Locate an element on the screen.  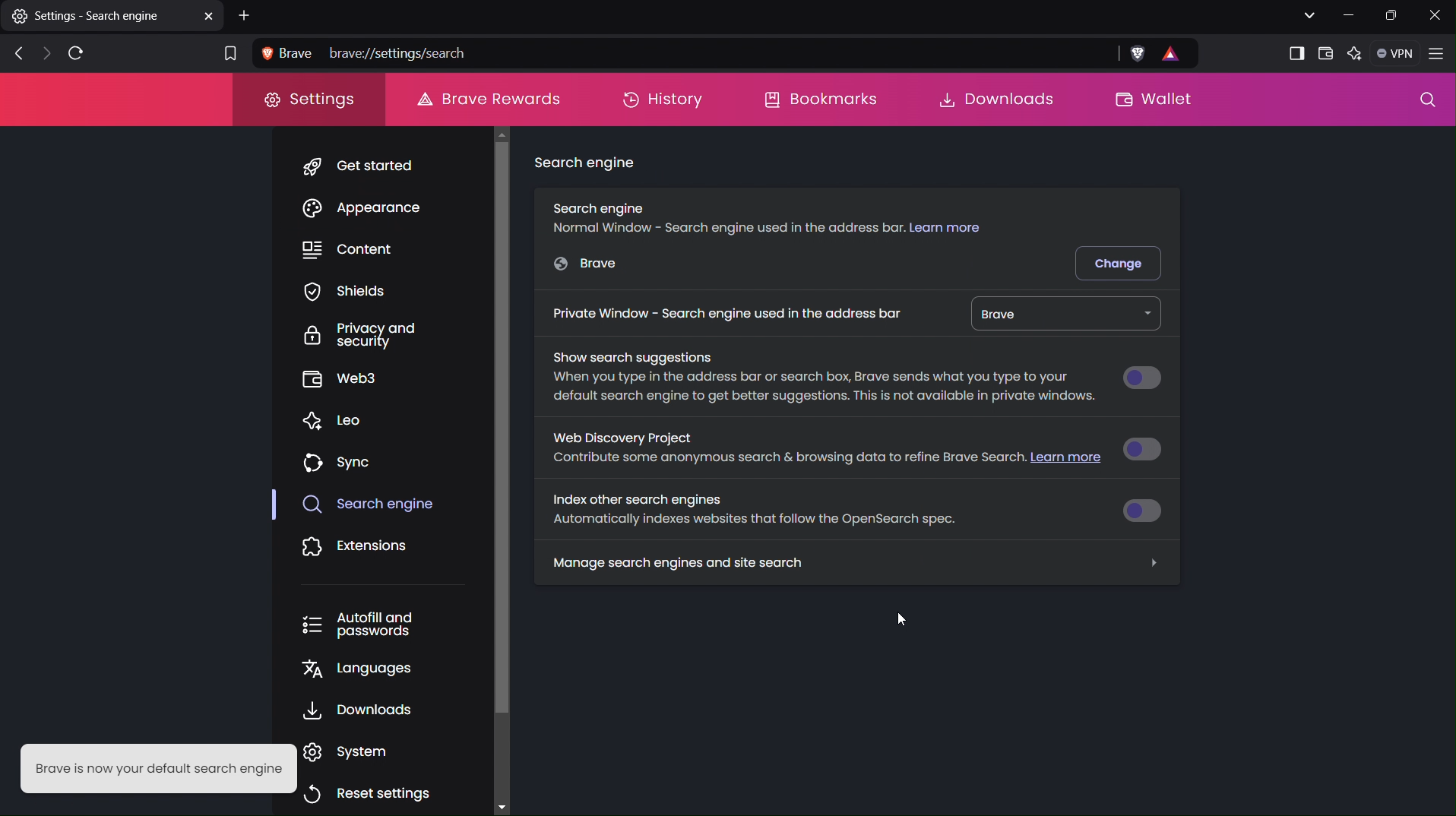
Bookmark is located at coordinates (228, 52).